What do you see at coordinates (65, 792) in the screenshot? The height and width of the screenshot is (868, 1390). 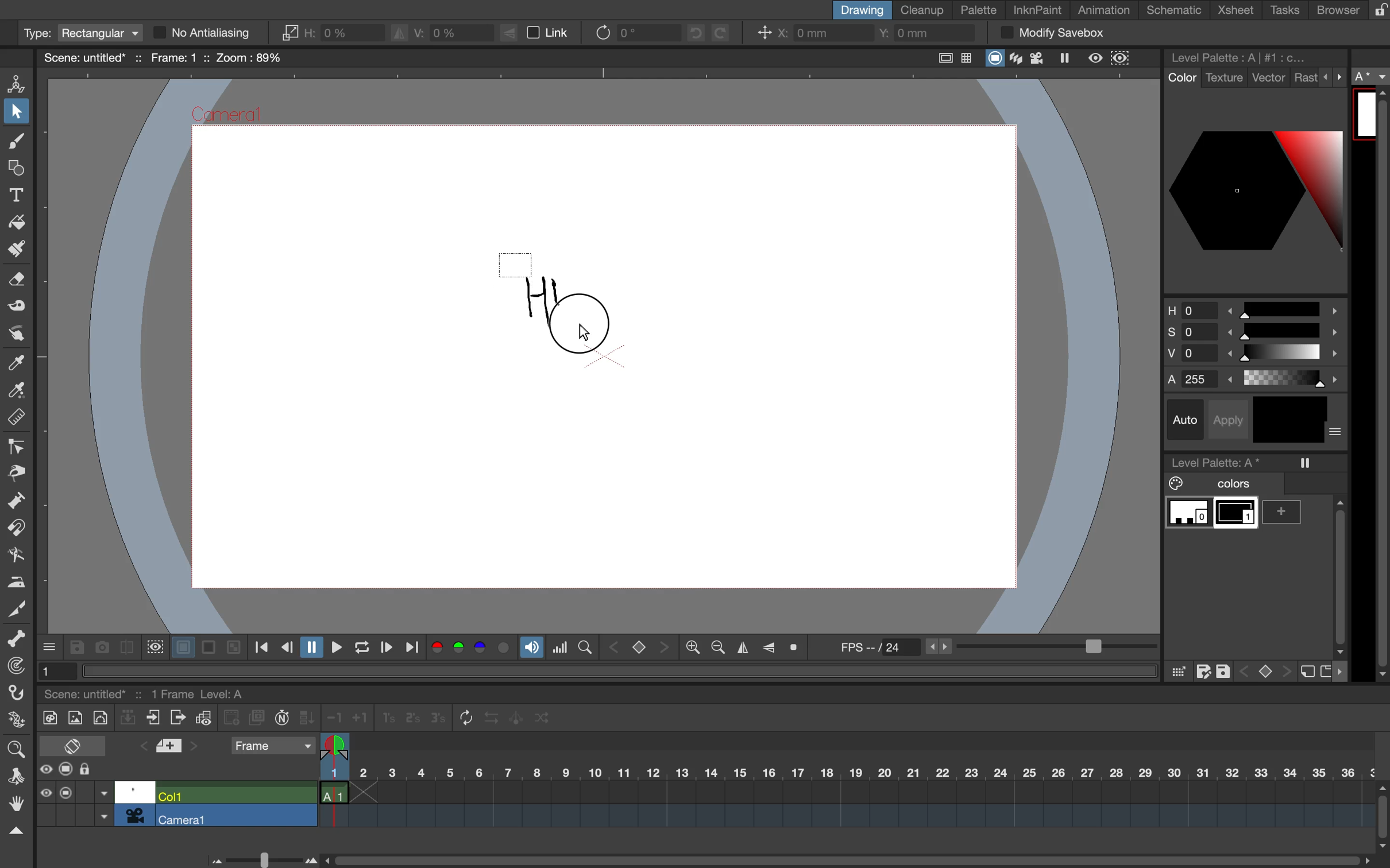 I see `camera stand visibility toggle all` at bounding box center [65, 792].